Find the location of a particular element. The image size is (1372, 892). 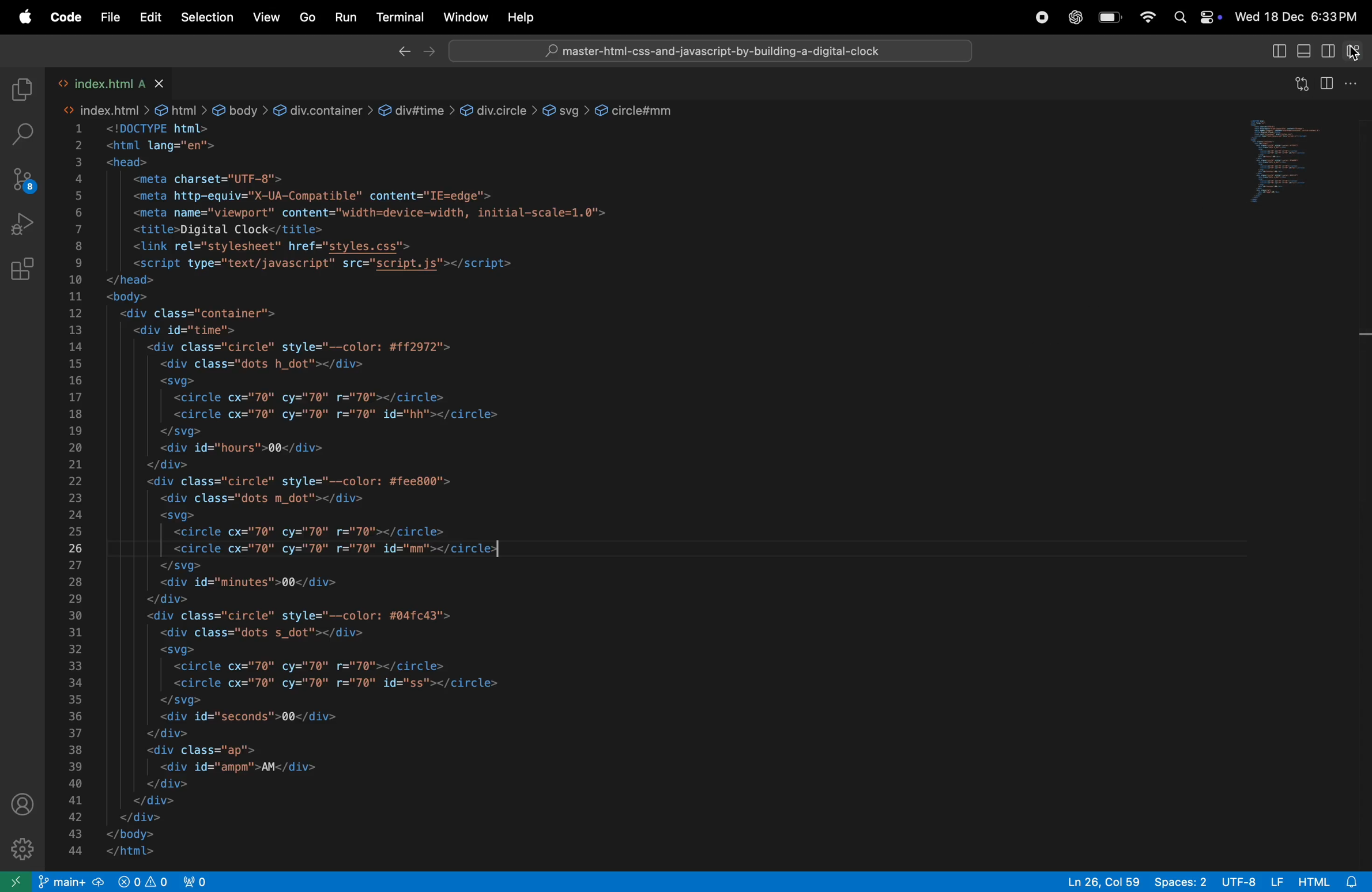

profile is located at coordinates (24, 805).